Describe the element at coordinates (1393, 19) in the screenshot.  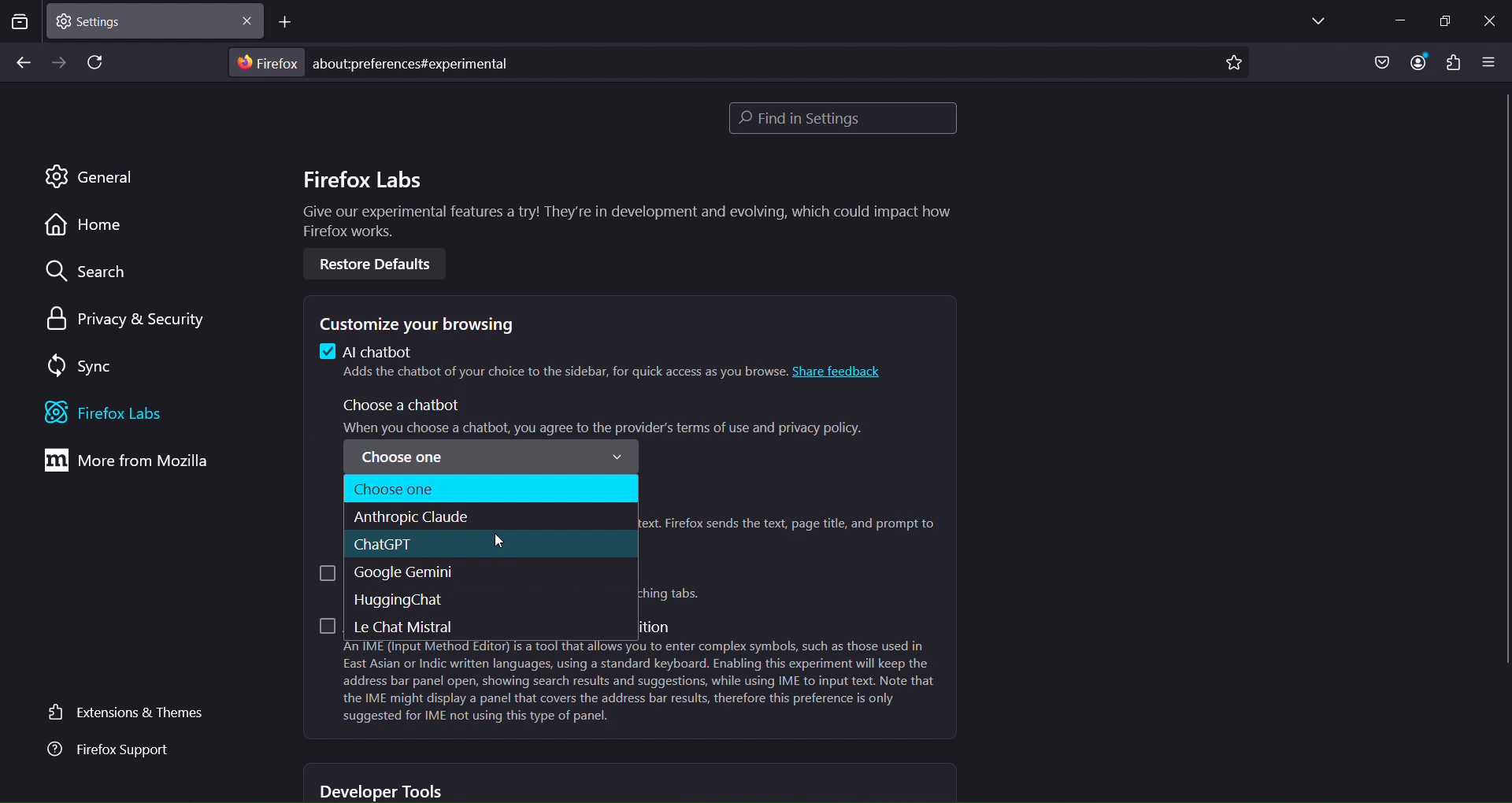
I see `minimize` at that location.